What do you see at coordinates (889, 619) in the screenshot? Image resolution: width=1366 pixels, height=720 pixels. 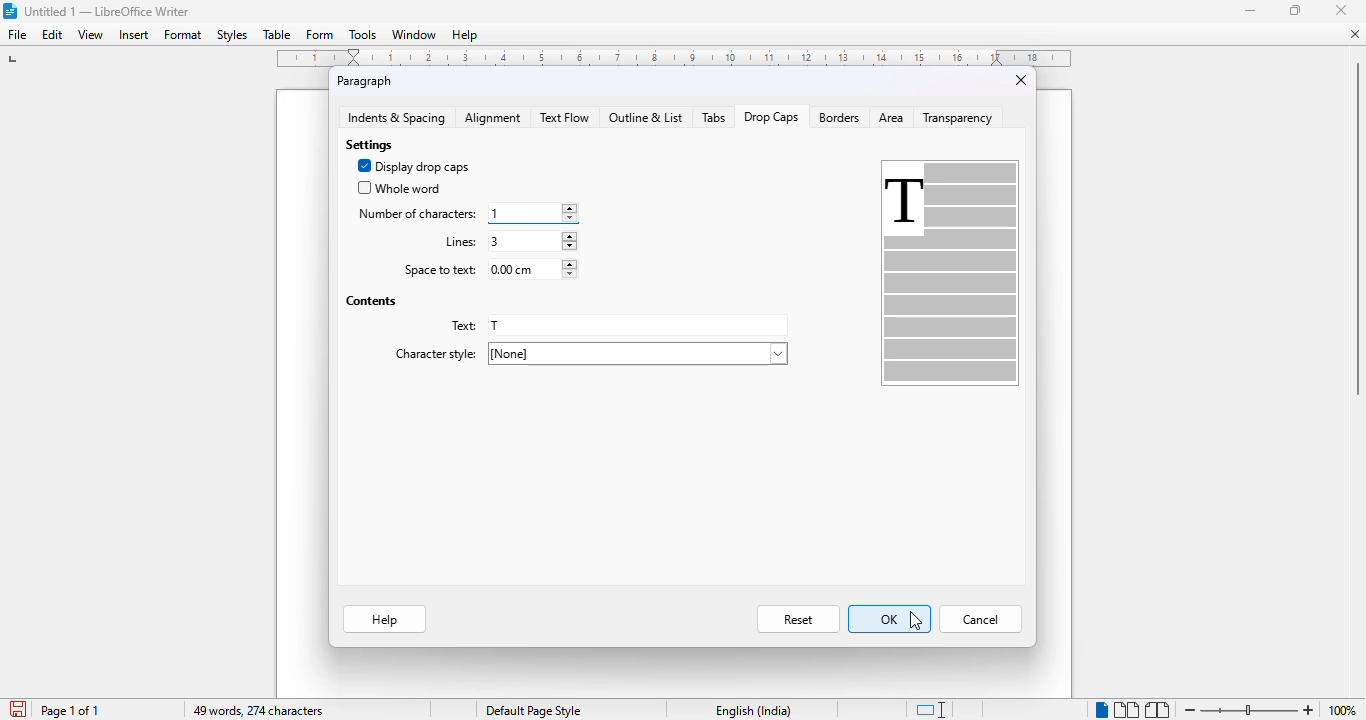 I see `OK` at bounding box center [889, 619].